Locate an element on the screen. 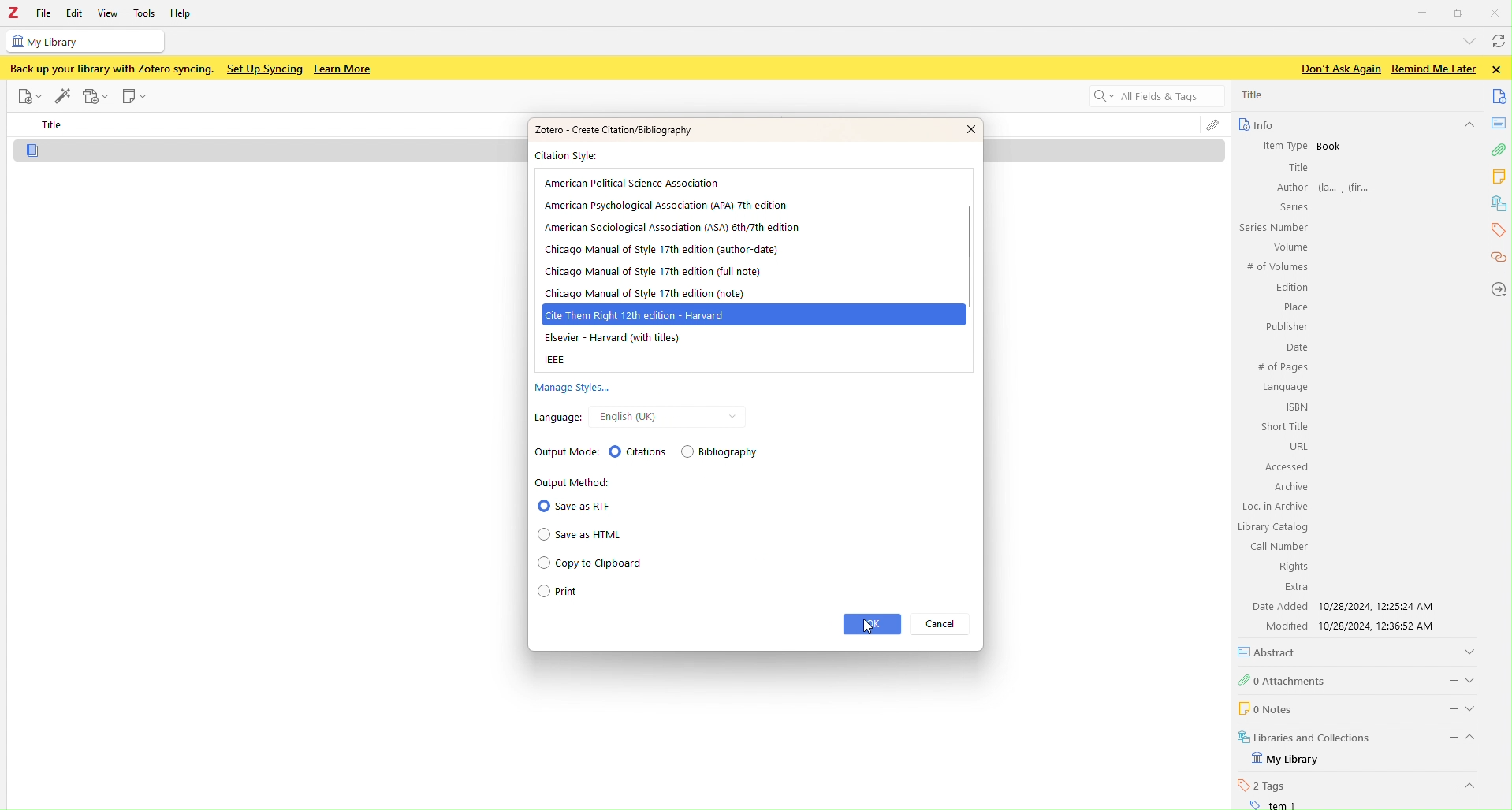 The height and width of the screenshot is (810, 1512). Date Added is located at coordinates (1278, 606).